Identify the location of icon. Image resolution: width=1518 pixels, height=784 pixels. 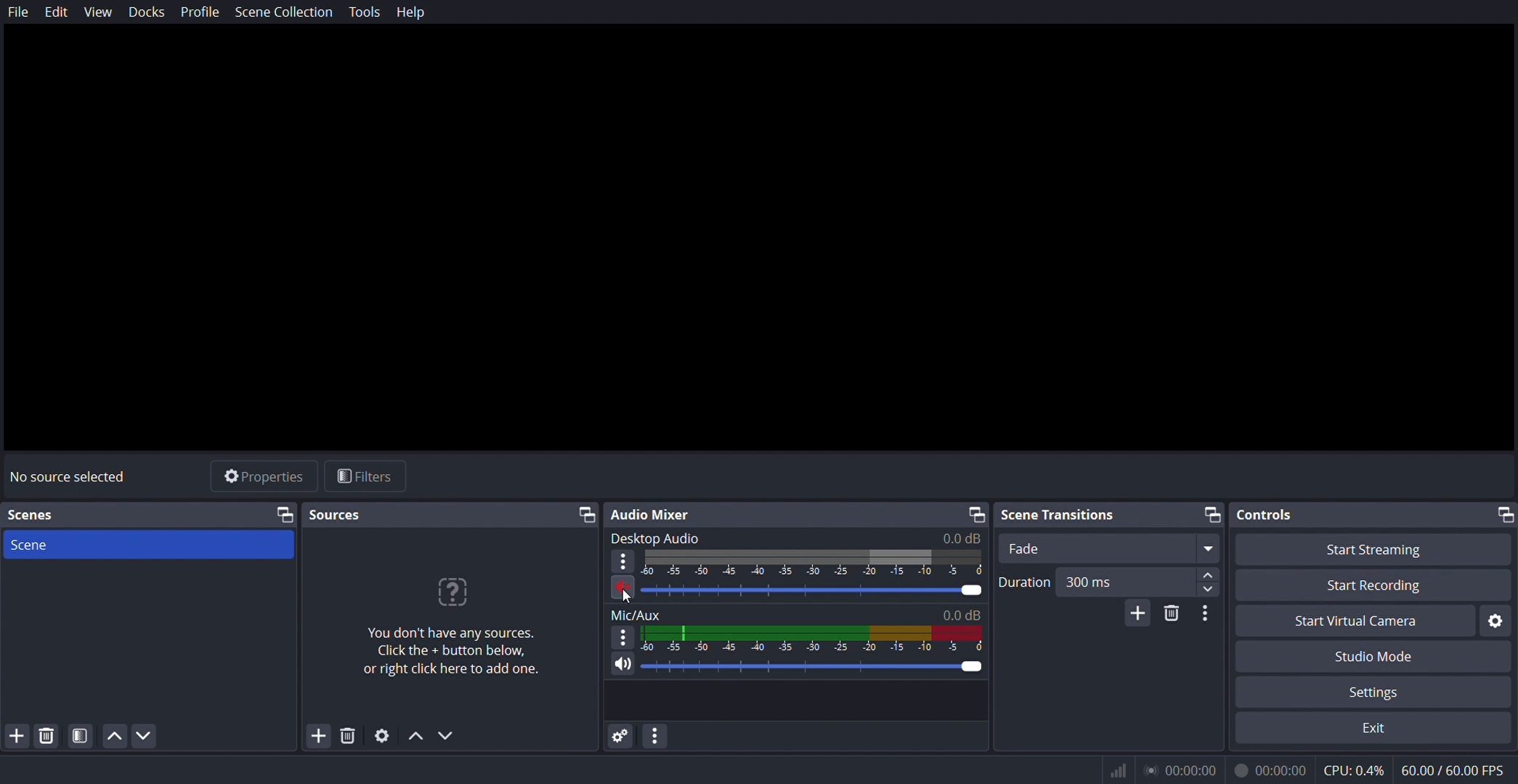
(453, 592).